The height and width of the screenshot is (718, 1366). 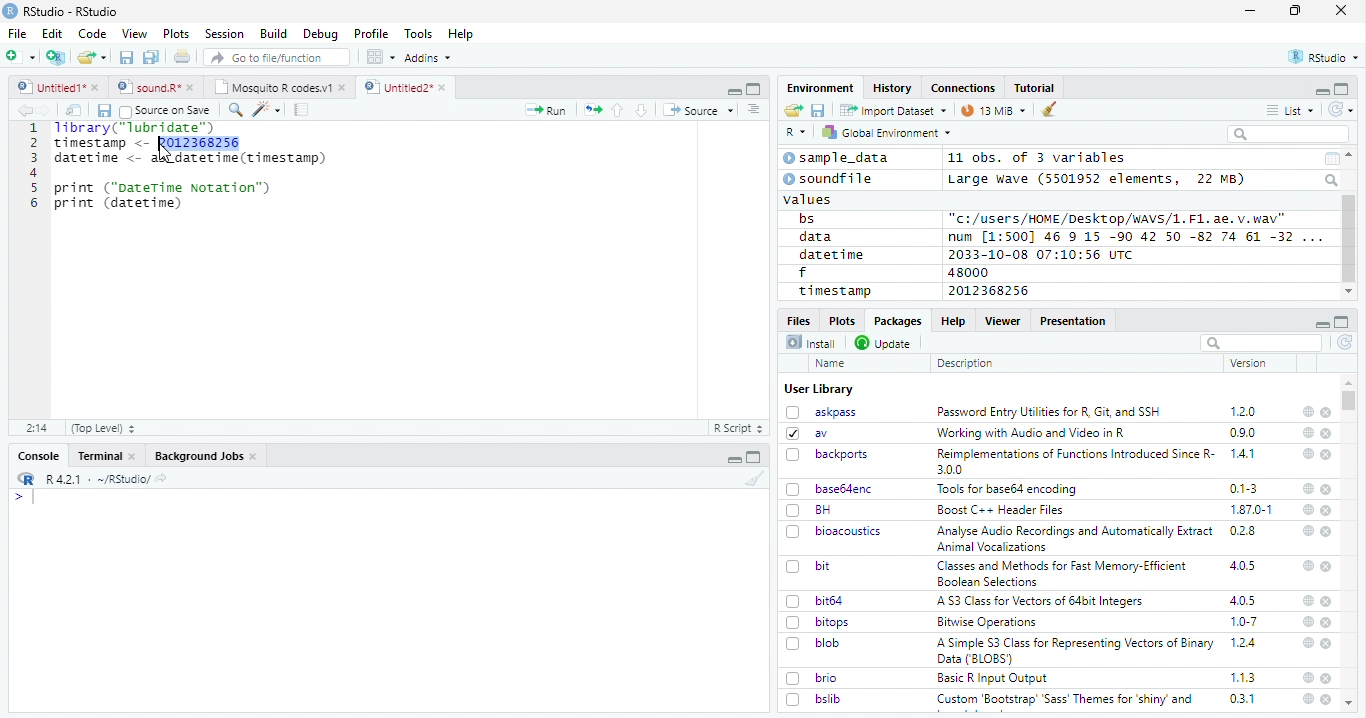 I want to click on Files, so click(x=800, y=319).